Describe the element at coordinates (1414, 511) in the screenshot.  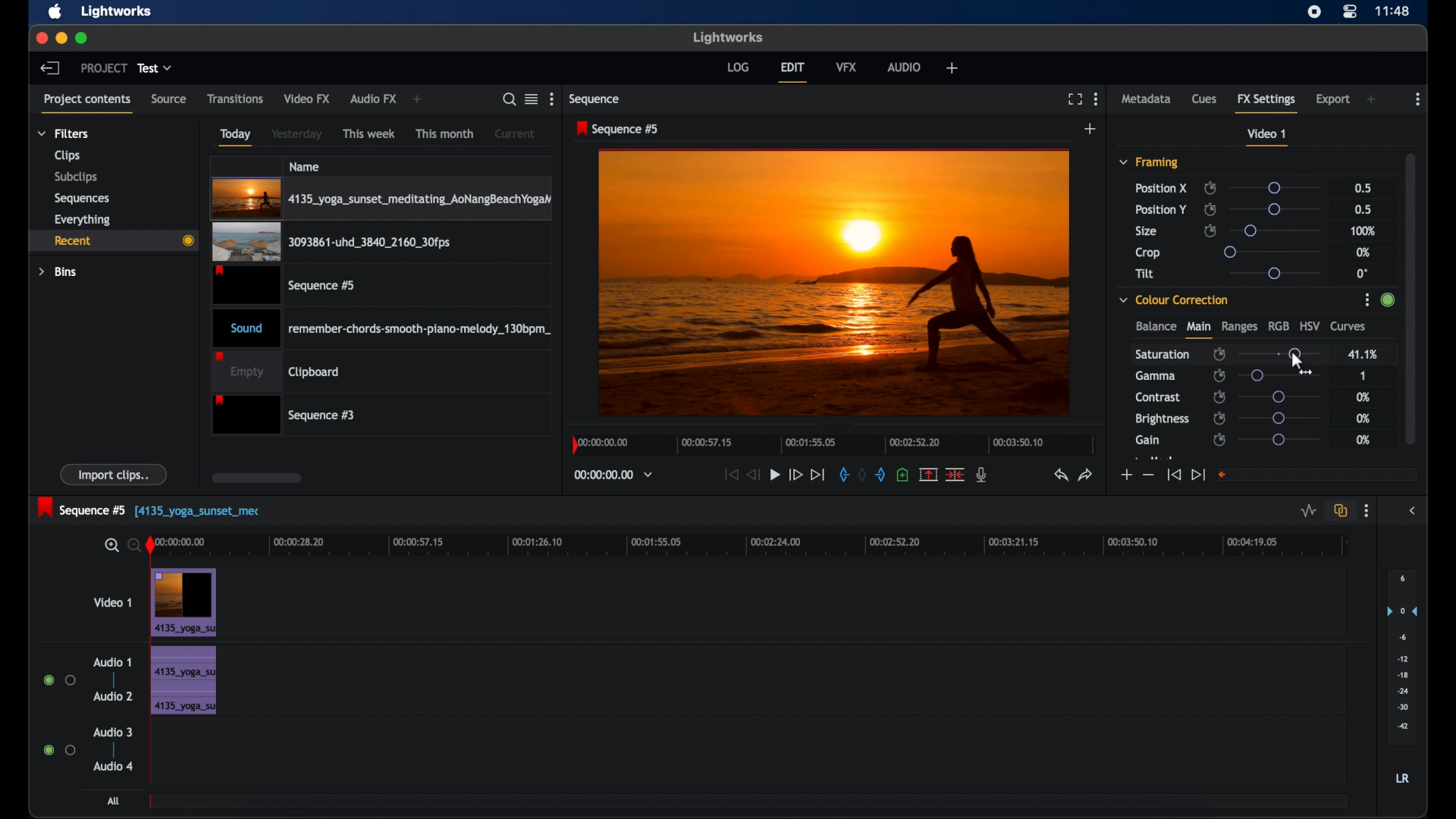
I see `sidebar` at that location.